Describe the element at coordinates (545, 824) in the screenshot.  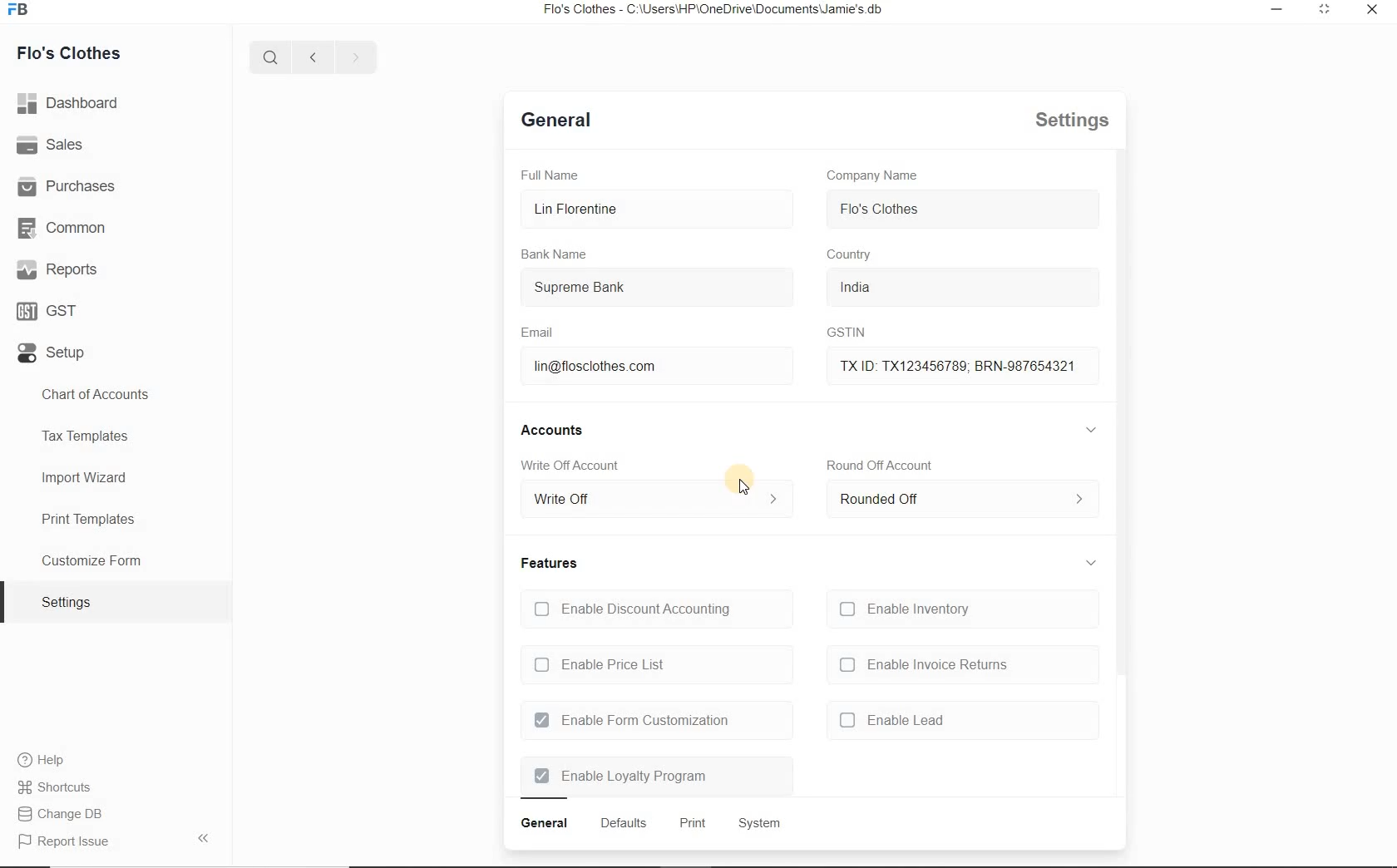
I see `general` at that location.